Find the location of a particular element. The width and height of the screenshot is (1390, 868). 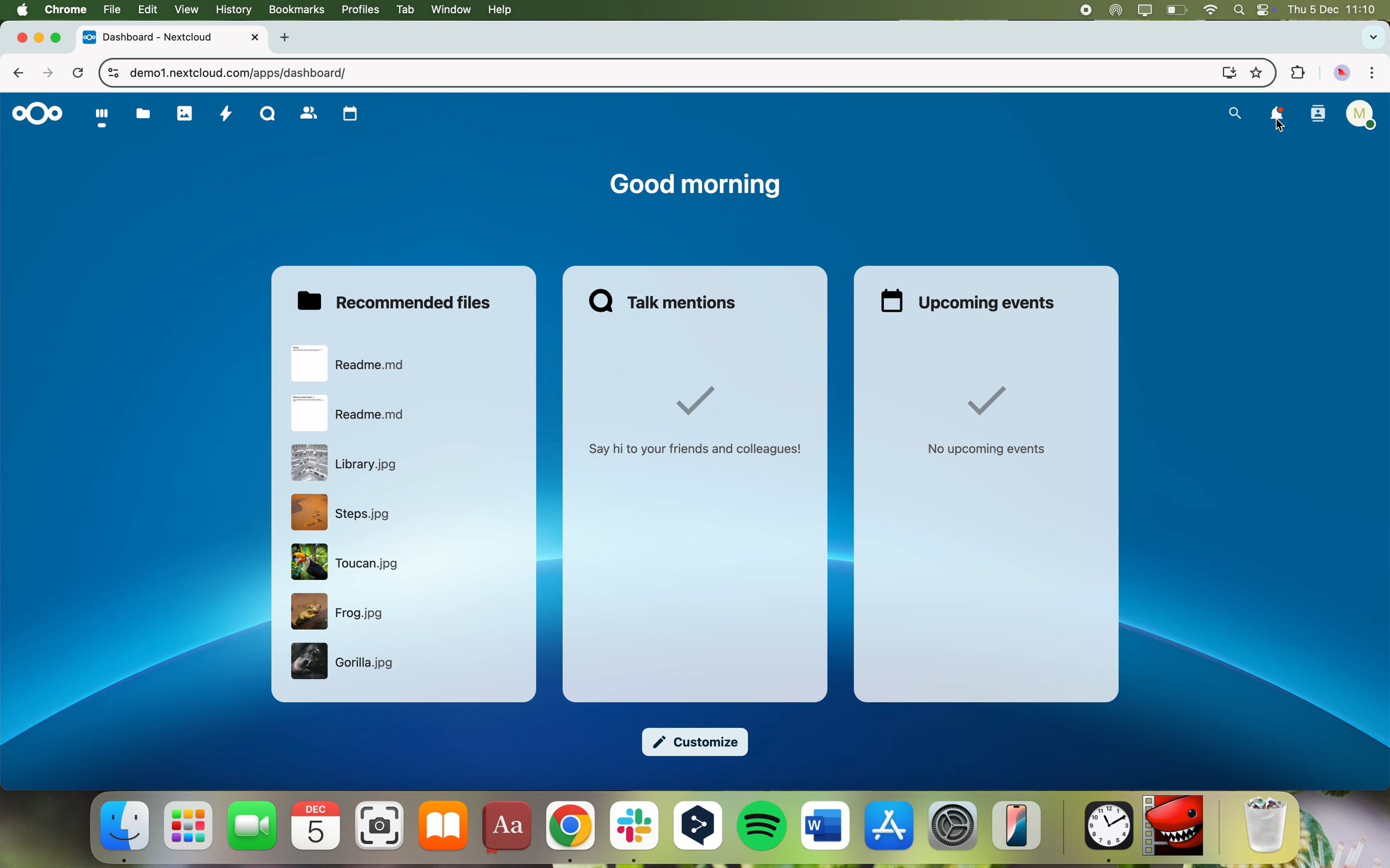

finder is located at coordinates (126, 831).